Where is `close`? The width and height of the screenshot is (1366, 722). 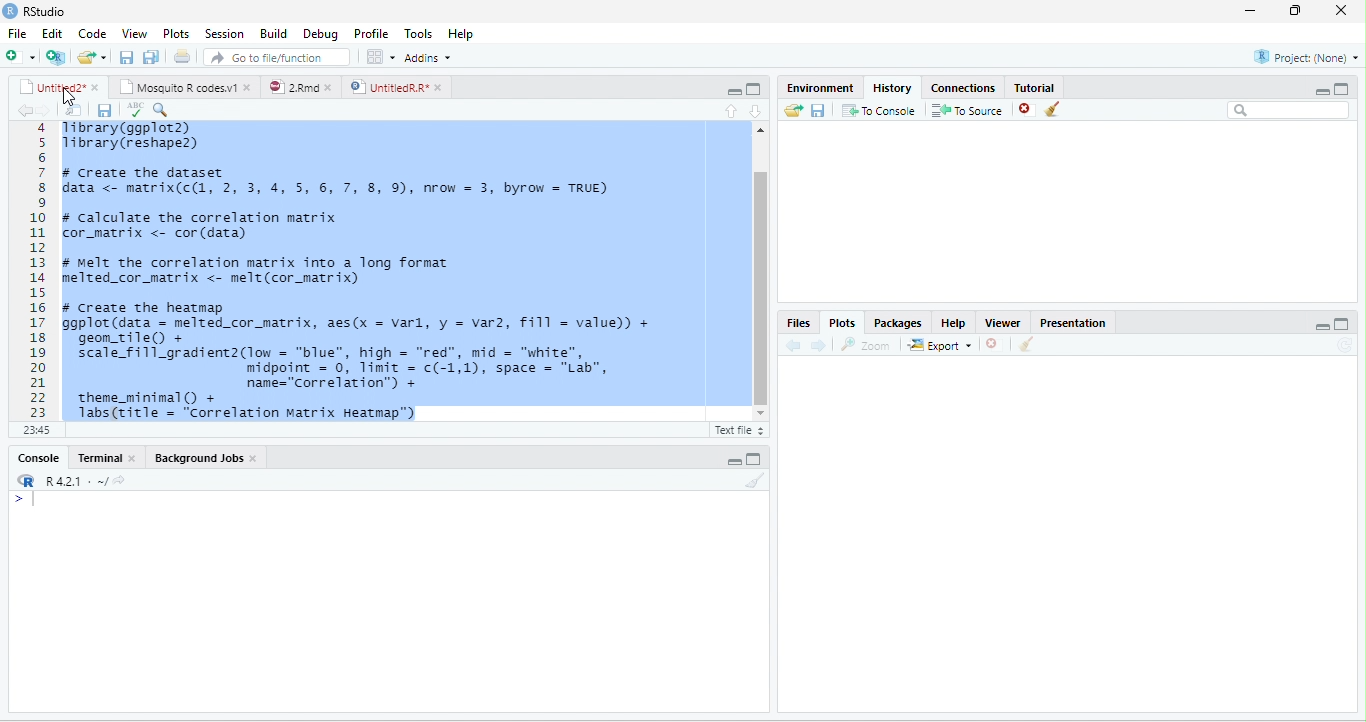 close is located at coordinates (1345, 11).